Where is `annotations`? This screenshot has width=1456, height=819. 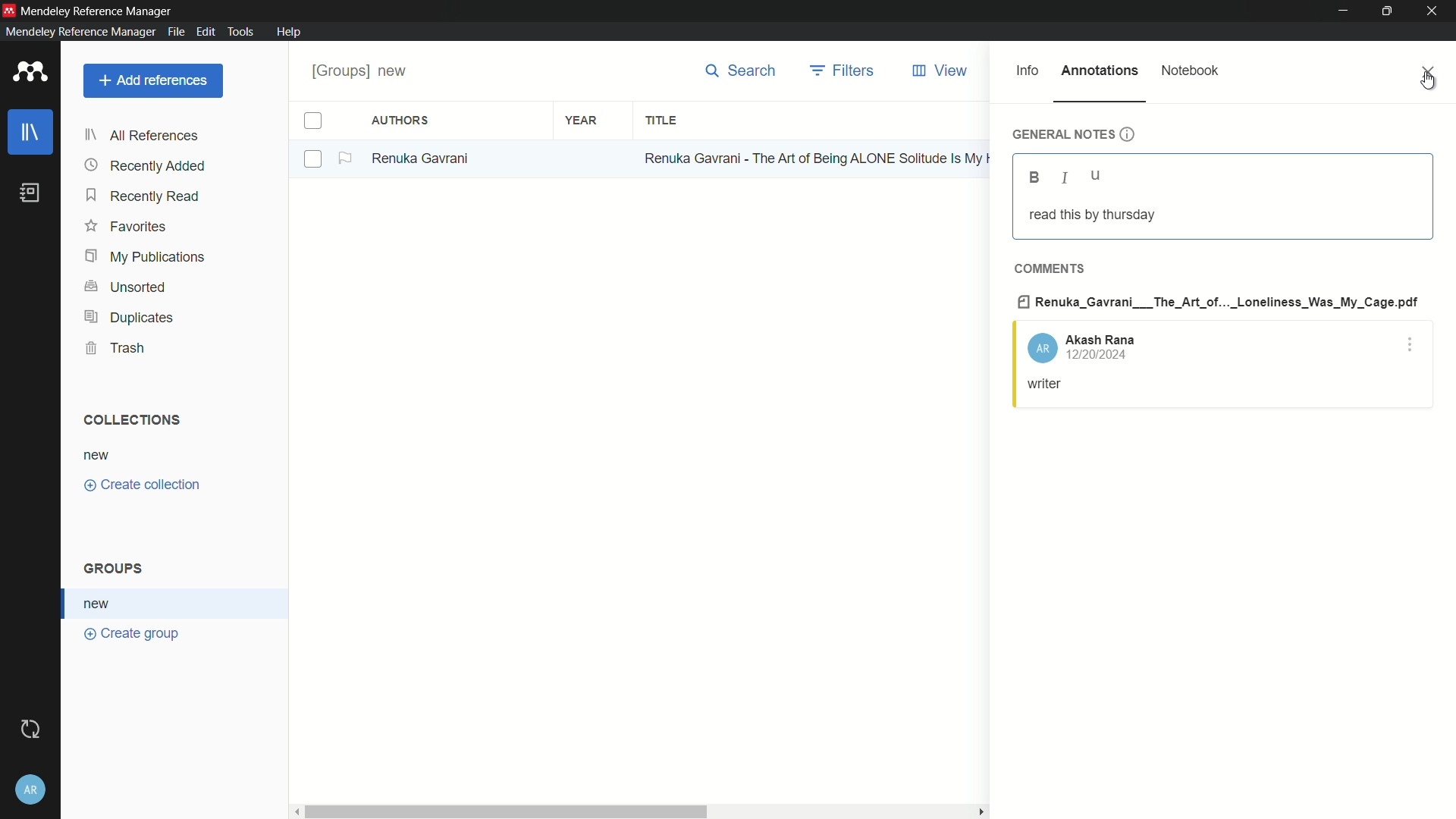 annotations is located at coordinates (1100, 70).